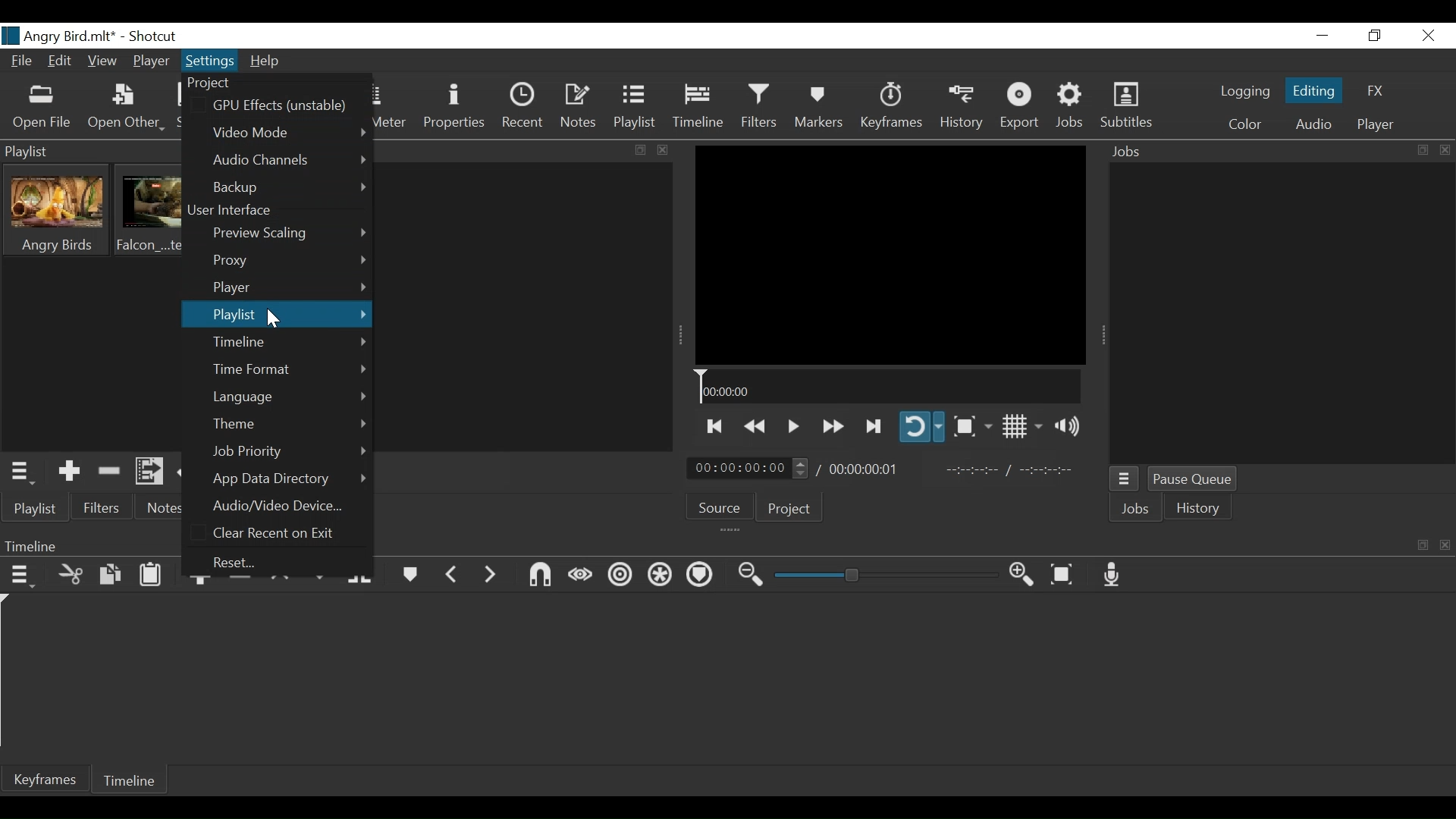  I want to click on History, so click(1199, 507).